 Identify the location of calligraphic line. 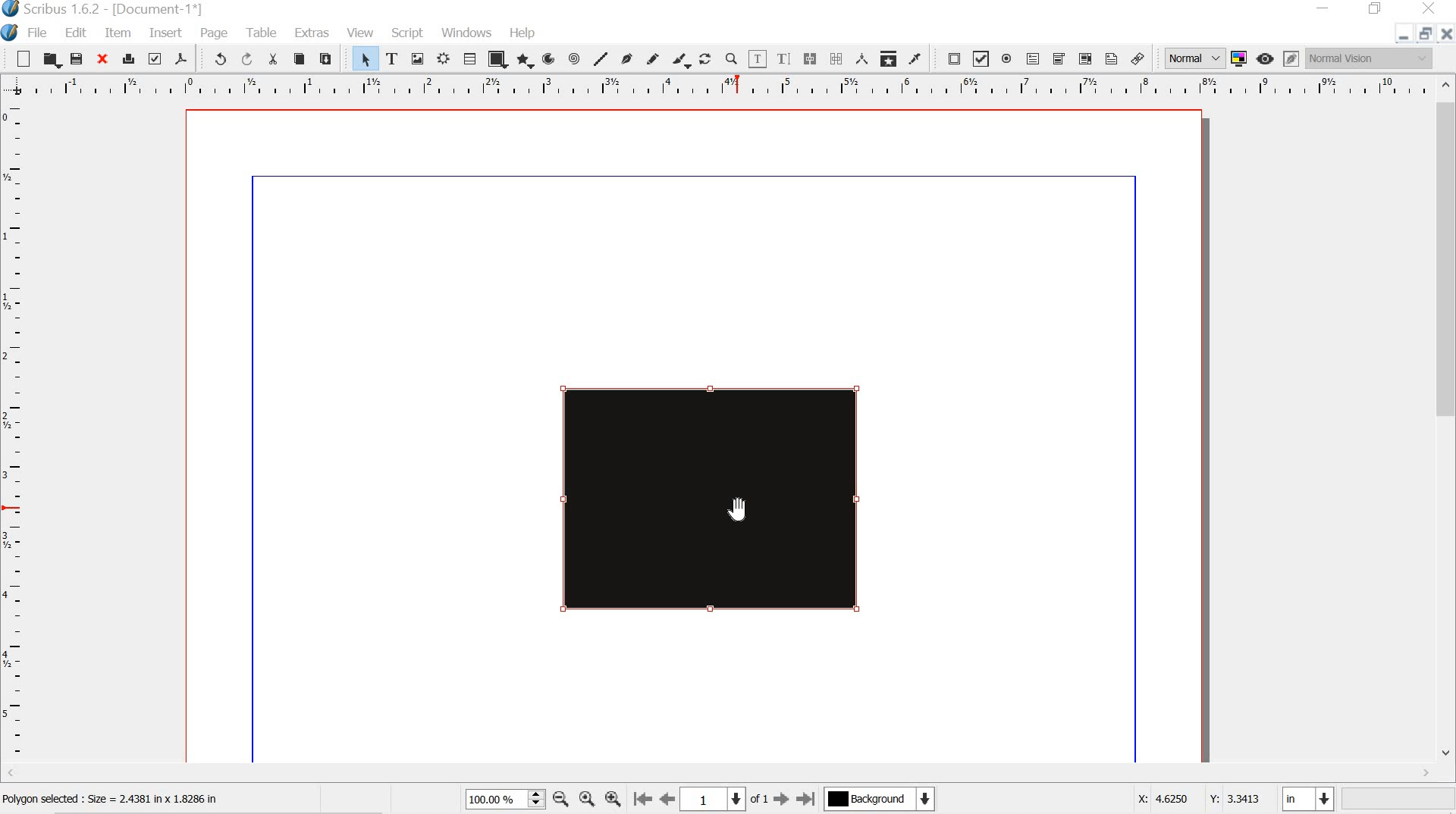
(679, 60).